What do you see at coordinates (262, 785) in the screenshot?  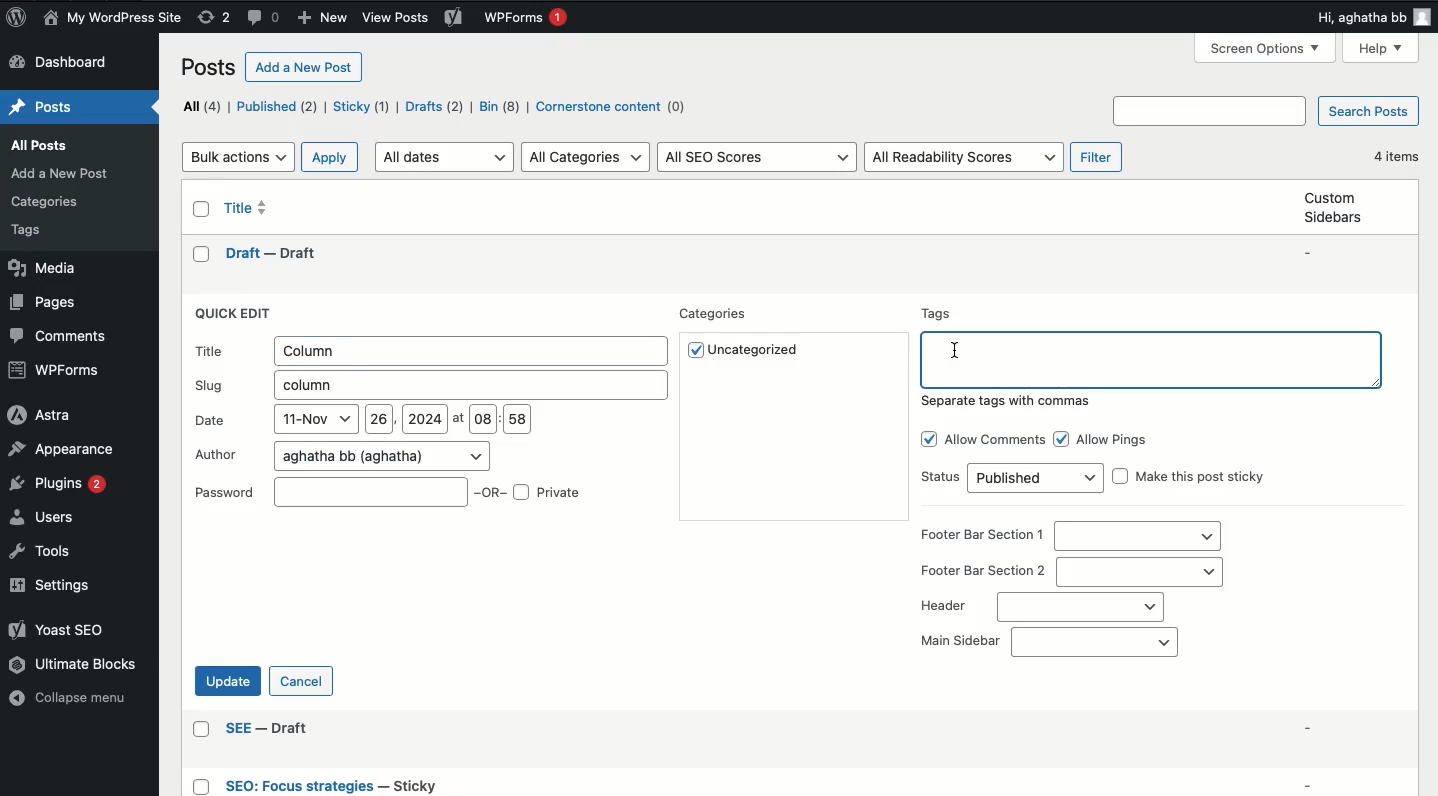 I see `` at bounding box center [262, 785].